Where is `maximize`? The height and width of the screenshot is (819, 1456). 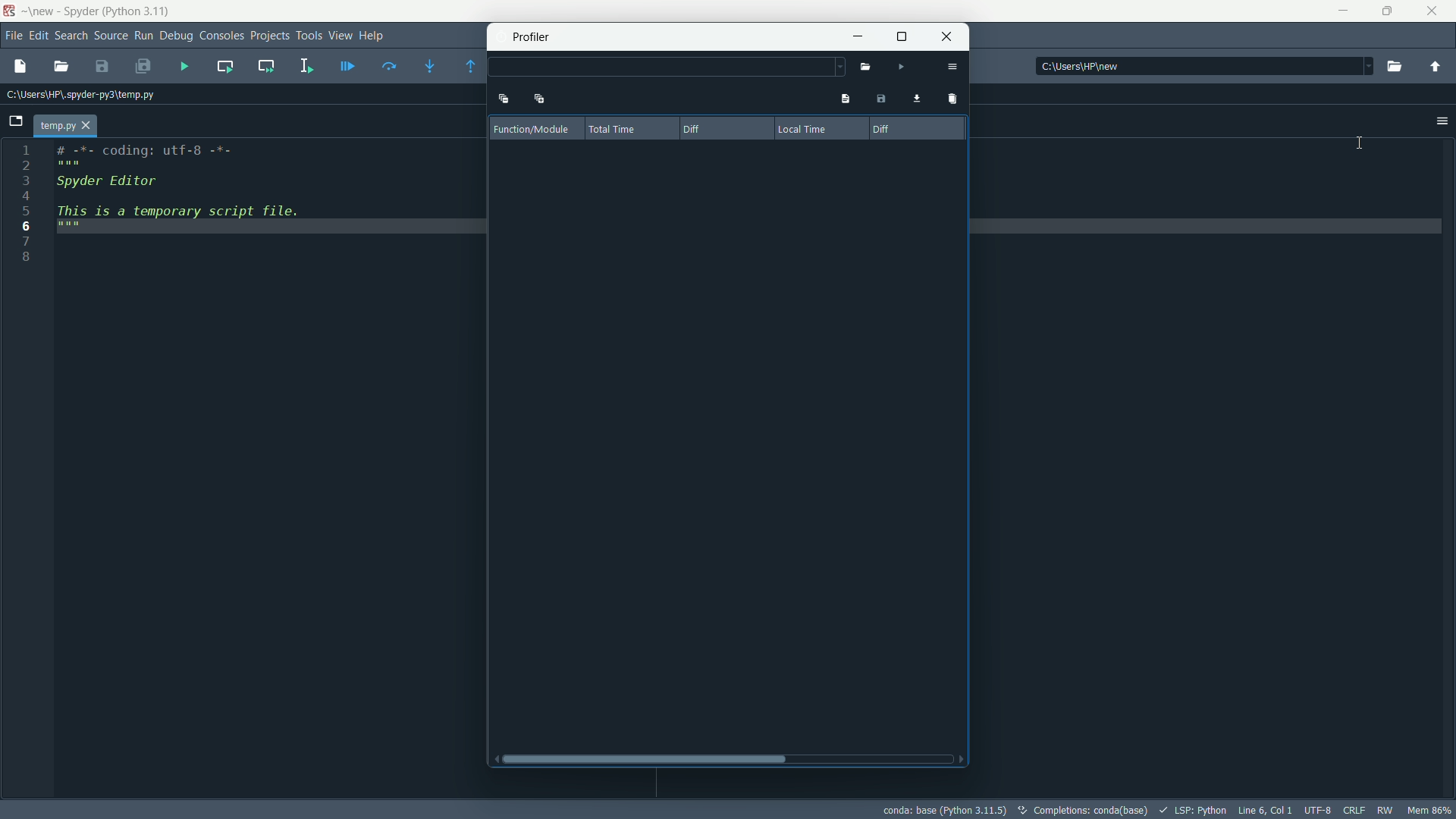 maximize is located at coordinates (1386, 11).